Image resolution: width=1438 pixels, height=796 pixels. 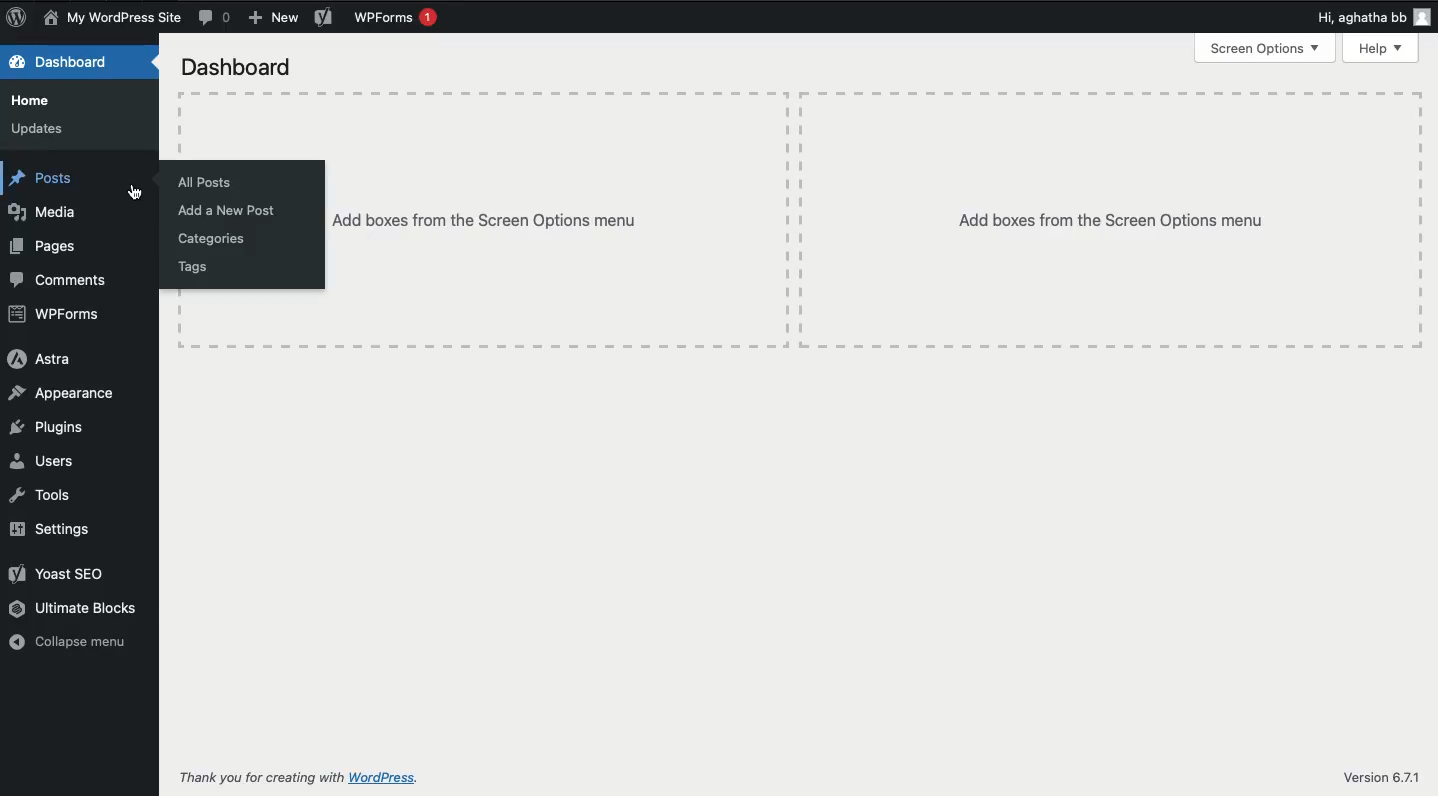 I want to click on New, so click(x=273, y=18).